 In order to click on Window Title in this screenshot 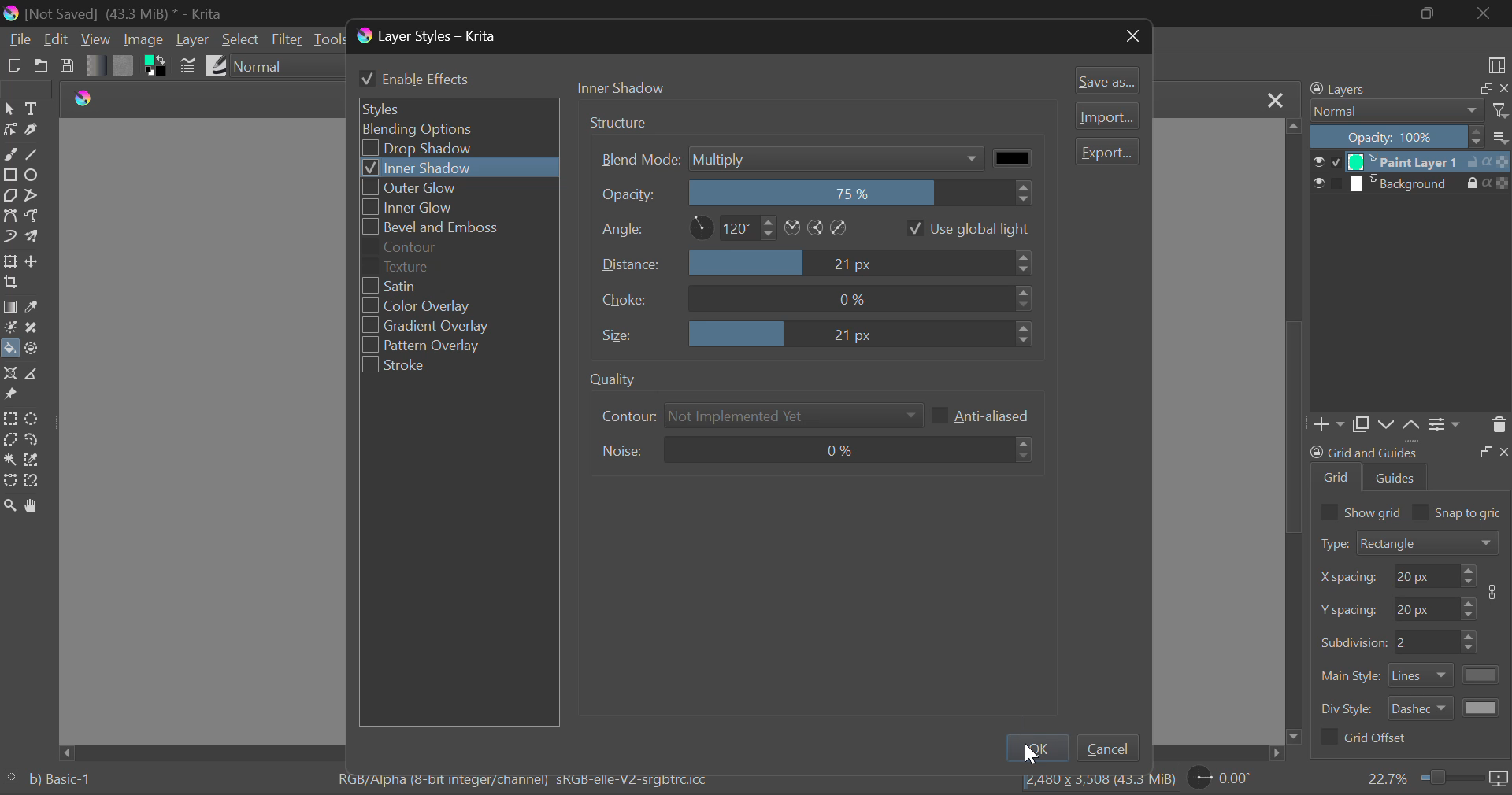, I will do `click(115, 13)`.